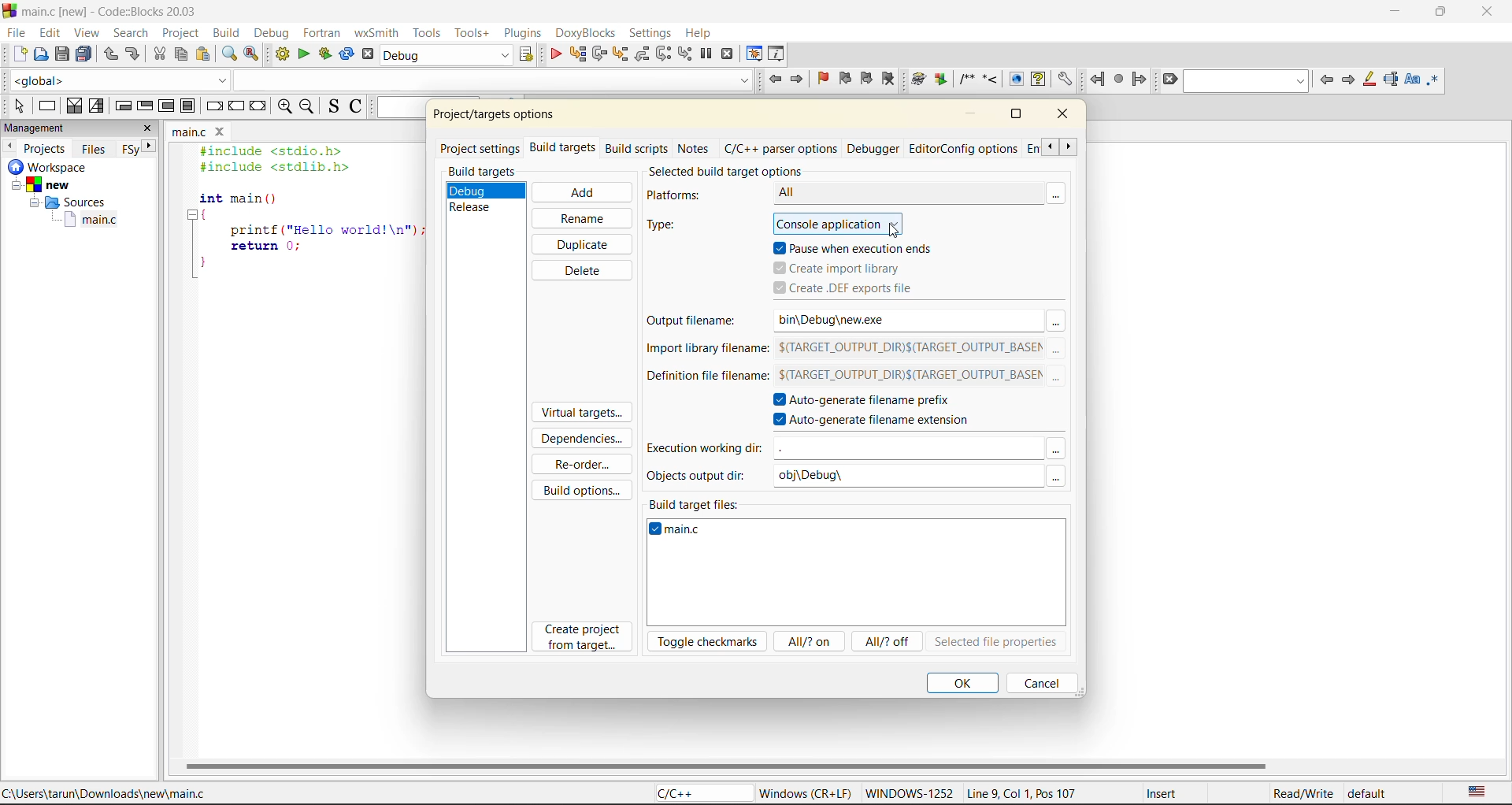 This screenshot has height=805, width=1512. Describe the element at coordinates (1016, 78) in the screenshot. I see `Run HTML Documentation` at that location.